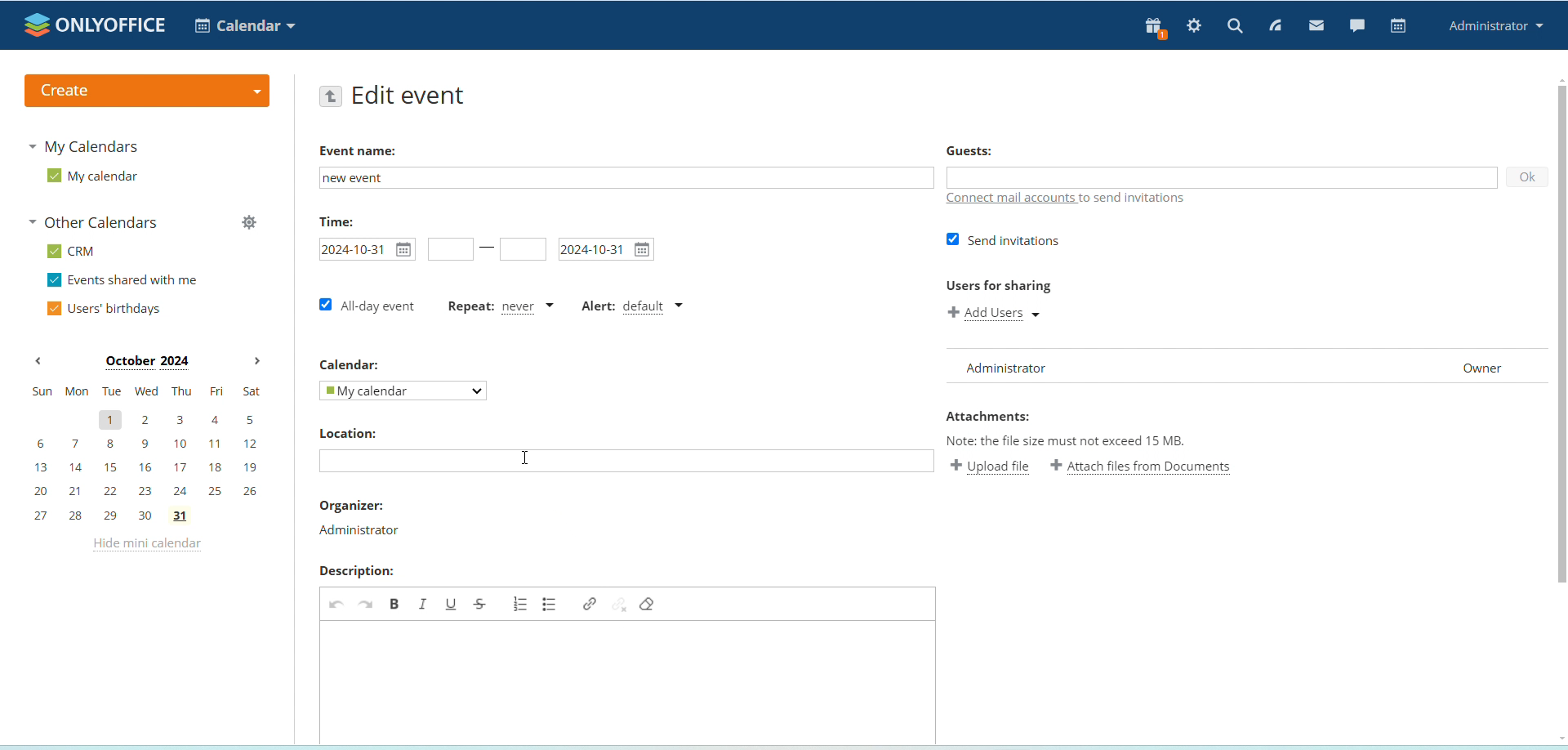  Describe the element at coordinates (450, 604) in the screenshot. I see `underline` at that location.